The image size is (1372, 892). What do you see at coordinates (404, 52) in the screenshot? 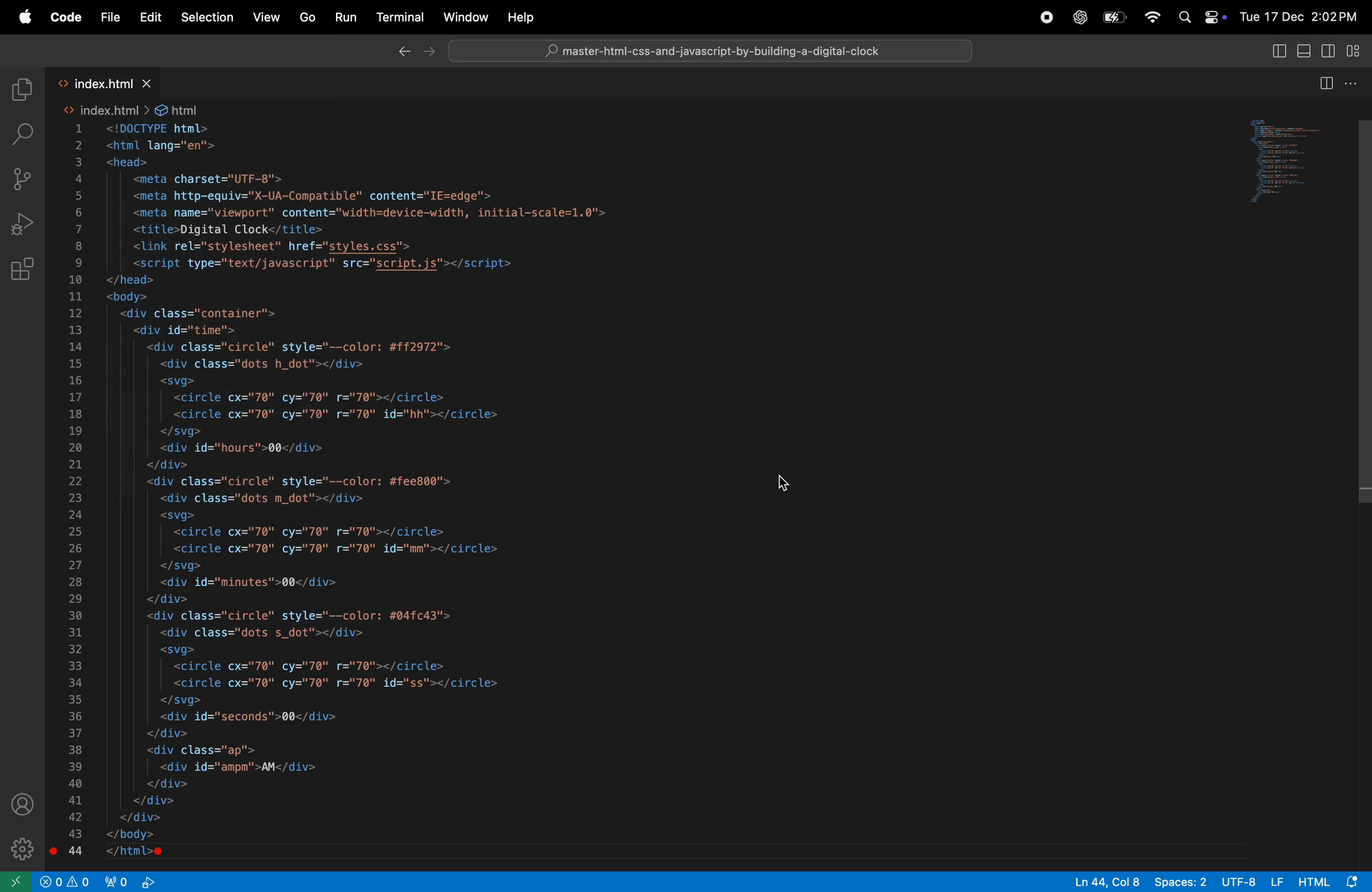
I see `close` at bounding box center [404, 52].